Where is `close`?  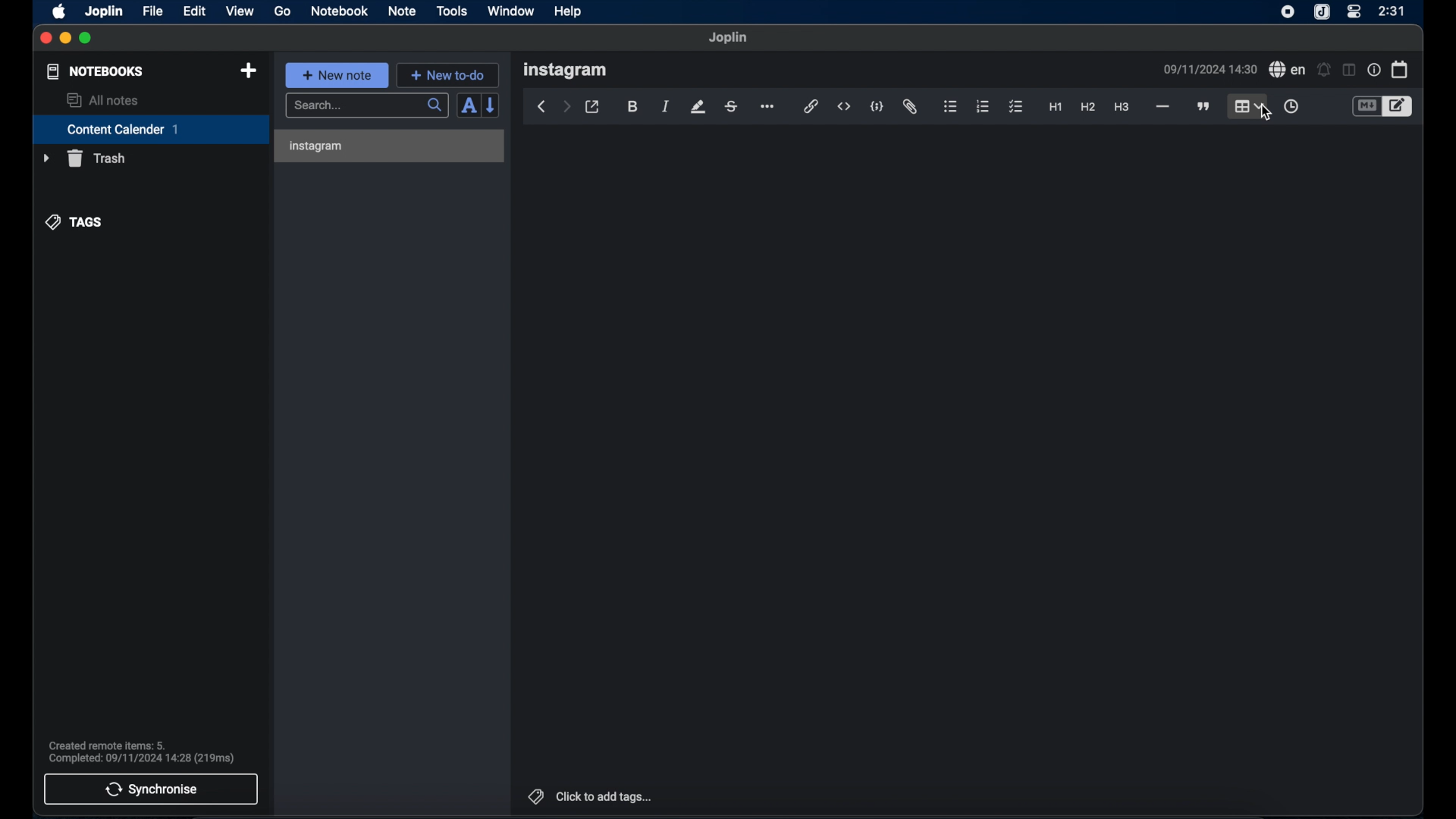
close is located at coordinates (45, 39).